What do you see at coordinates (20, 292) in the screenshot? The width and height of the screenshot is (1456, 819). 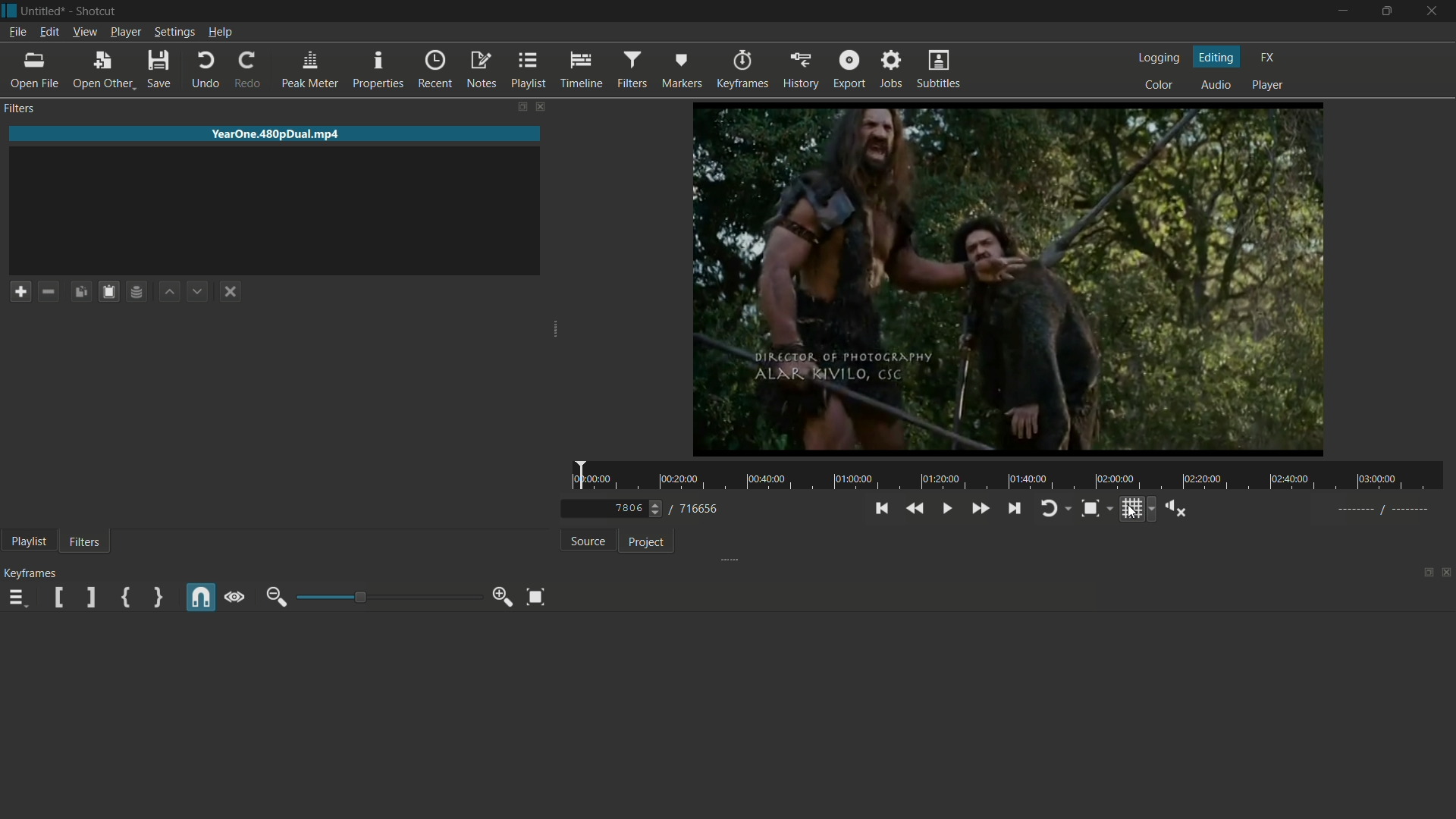 I see `add a filter` at bounding box center [20, 292].